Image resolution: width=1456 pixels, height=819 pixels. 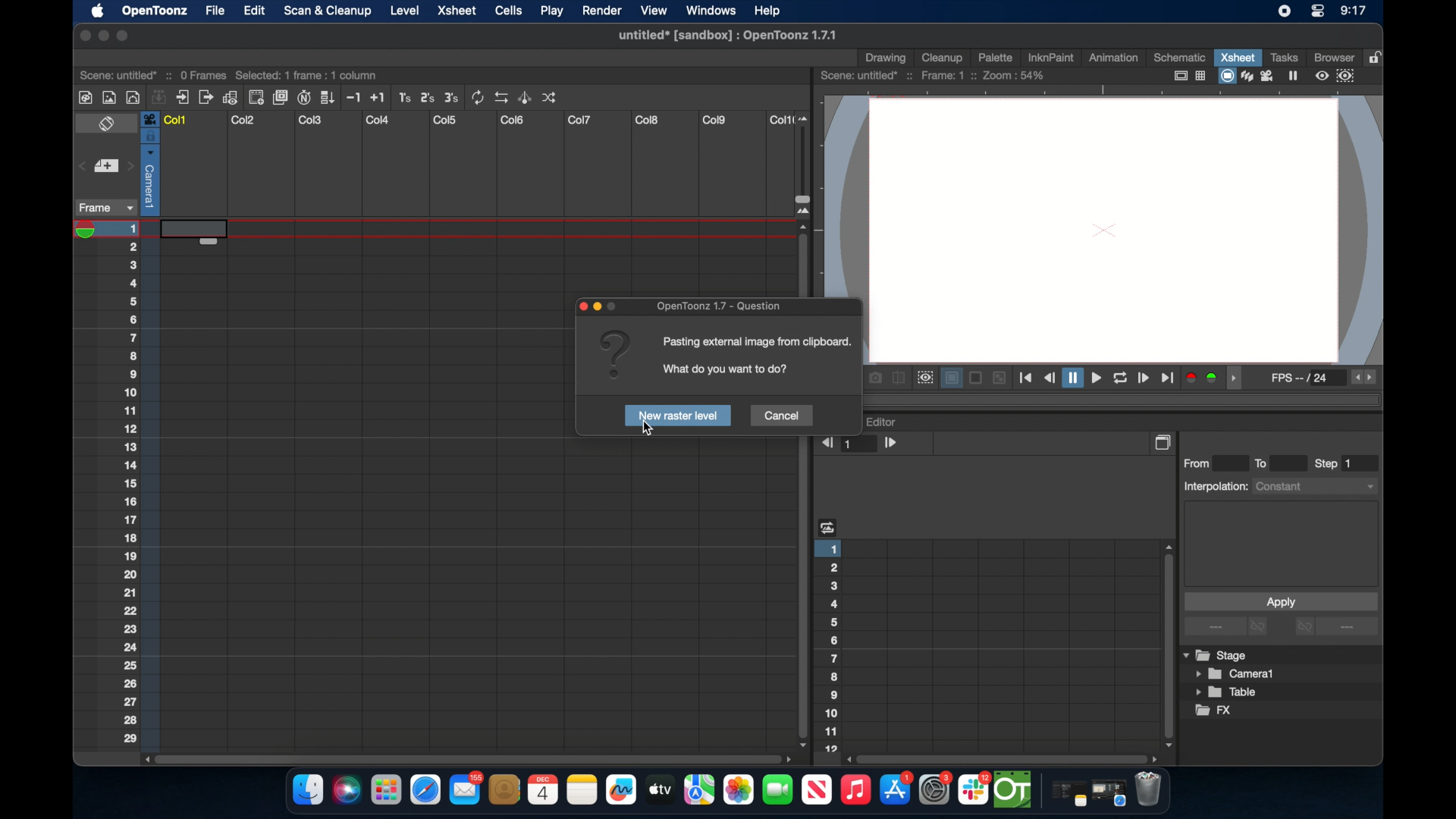 I want to click on mail, so click(x=466, y=788).